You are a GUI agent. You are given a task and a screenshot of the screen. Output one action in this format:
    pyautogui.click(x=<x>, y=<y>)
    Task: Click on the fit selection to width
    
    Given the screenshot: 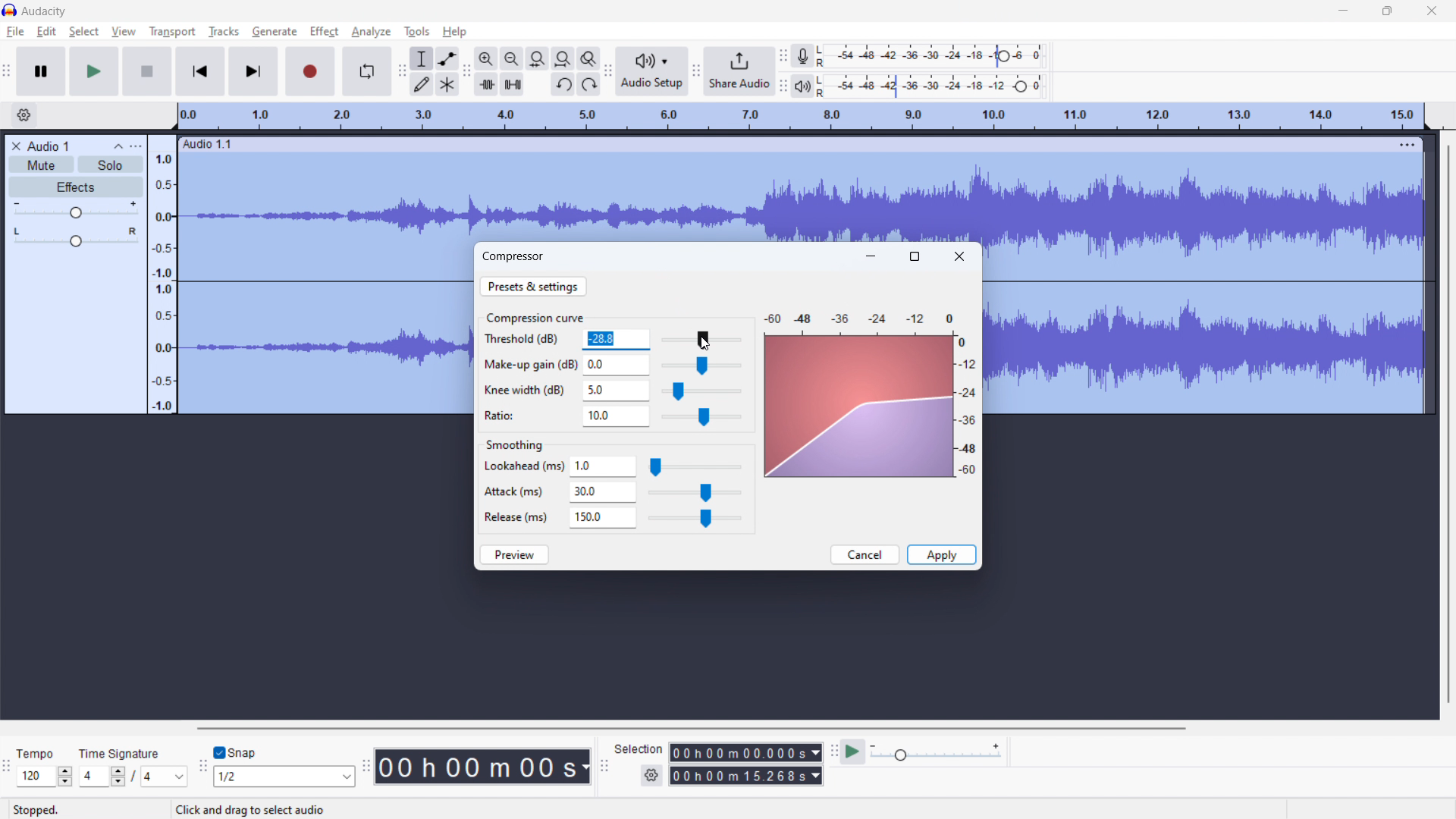 What is the action you would take?
    pyautogui.click(x=538, y=58)
    